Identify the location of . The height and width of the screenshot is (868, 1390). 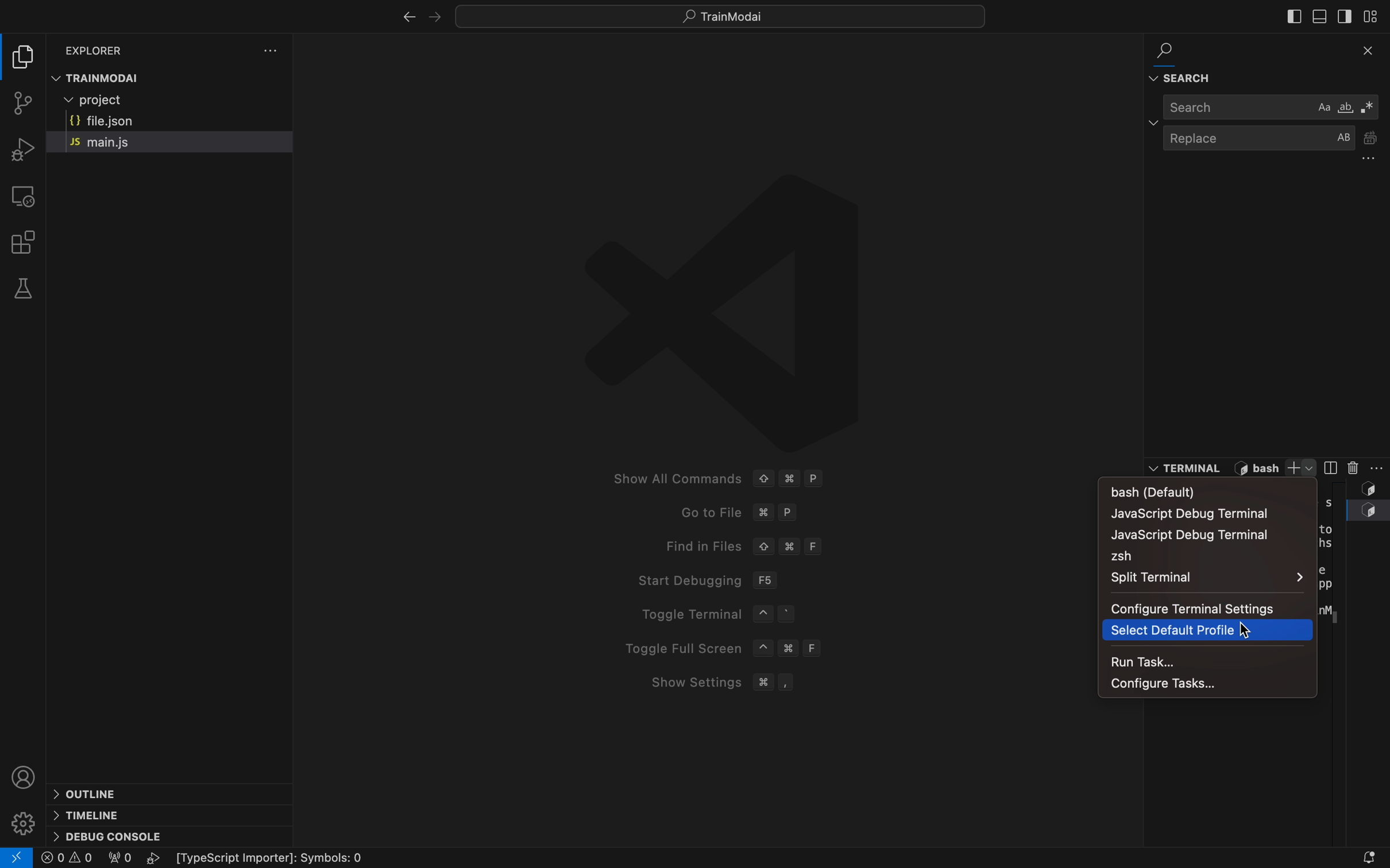
(288, 854).